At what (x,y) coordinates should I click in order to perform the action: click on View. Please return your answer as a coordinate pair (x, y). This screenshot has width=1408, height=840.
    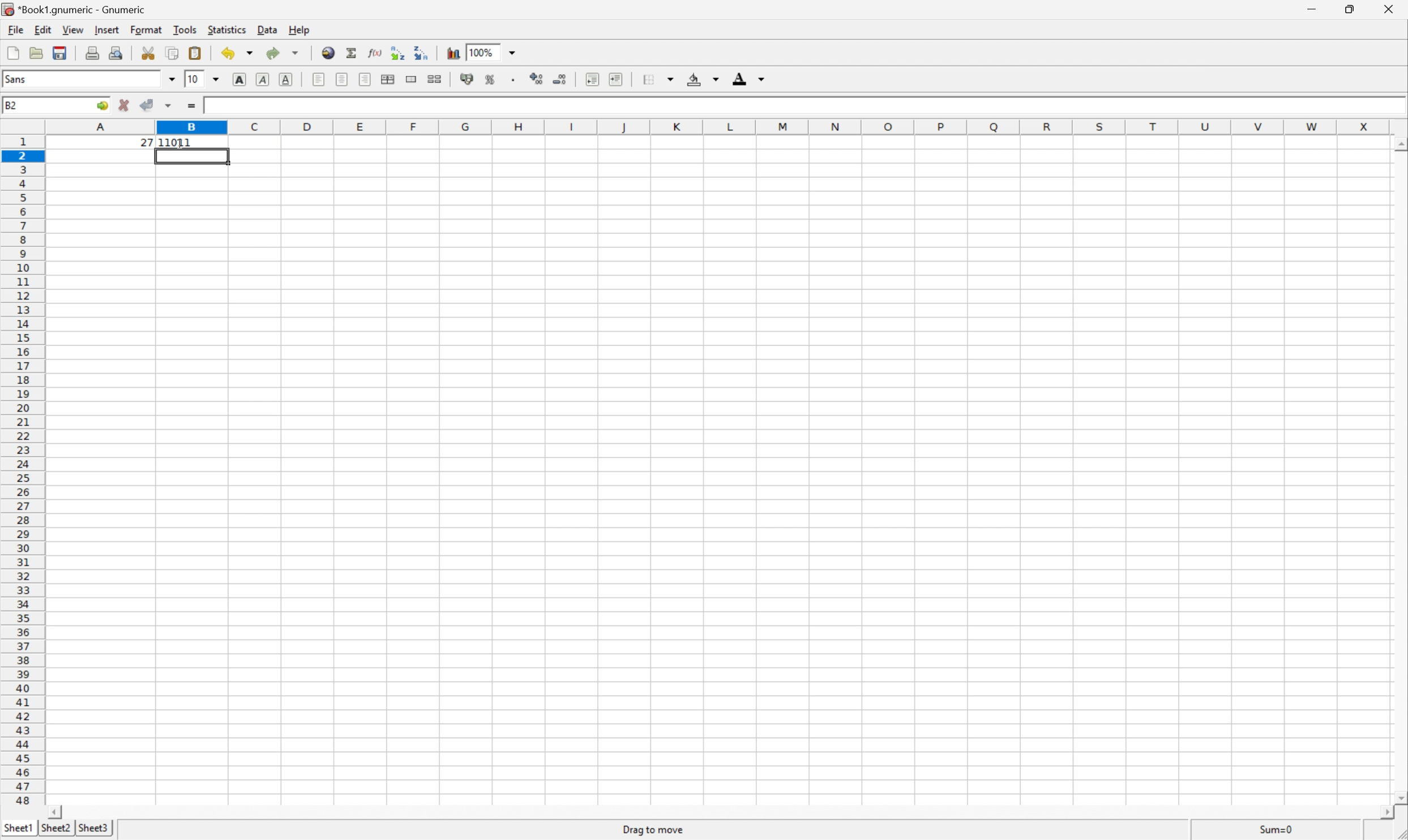
    Looking at the image, I should click on (73, 29).